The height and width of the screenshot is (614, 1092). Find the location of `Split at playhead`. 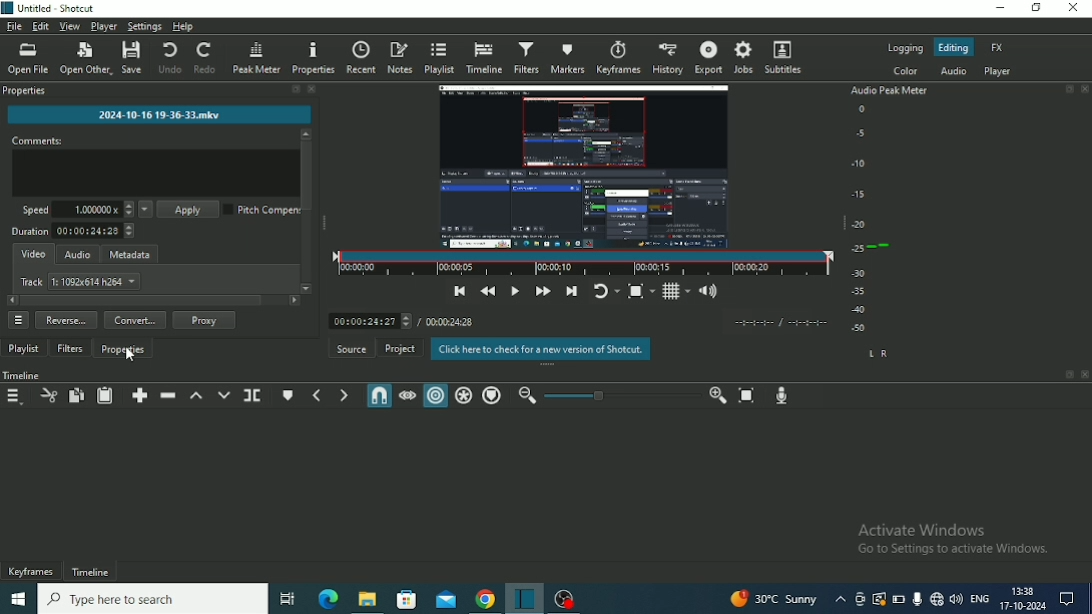

Split at playhead is located at coordinates (253, 396).